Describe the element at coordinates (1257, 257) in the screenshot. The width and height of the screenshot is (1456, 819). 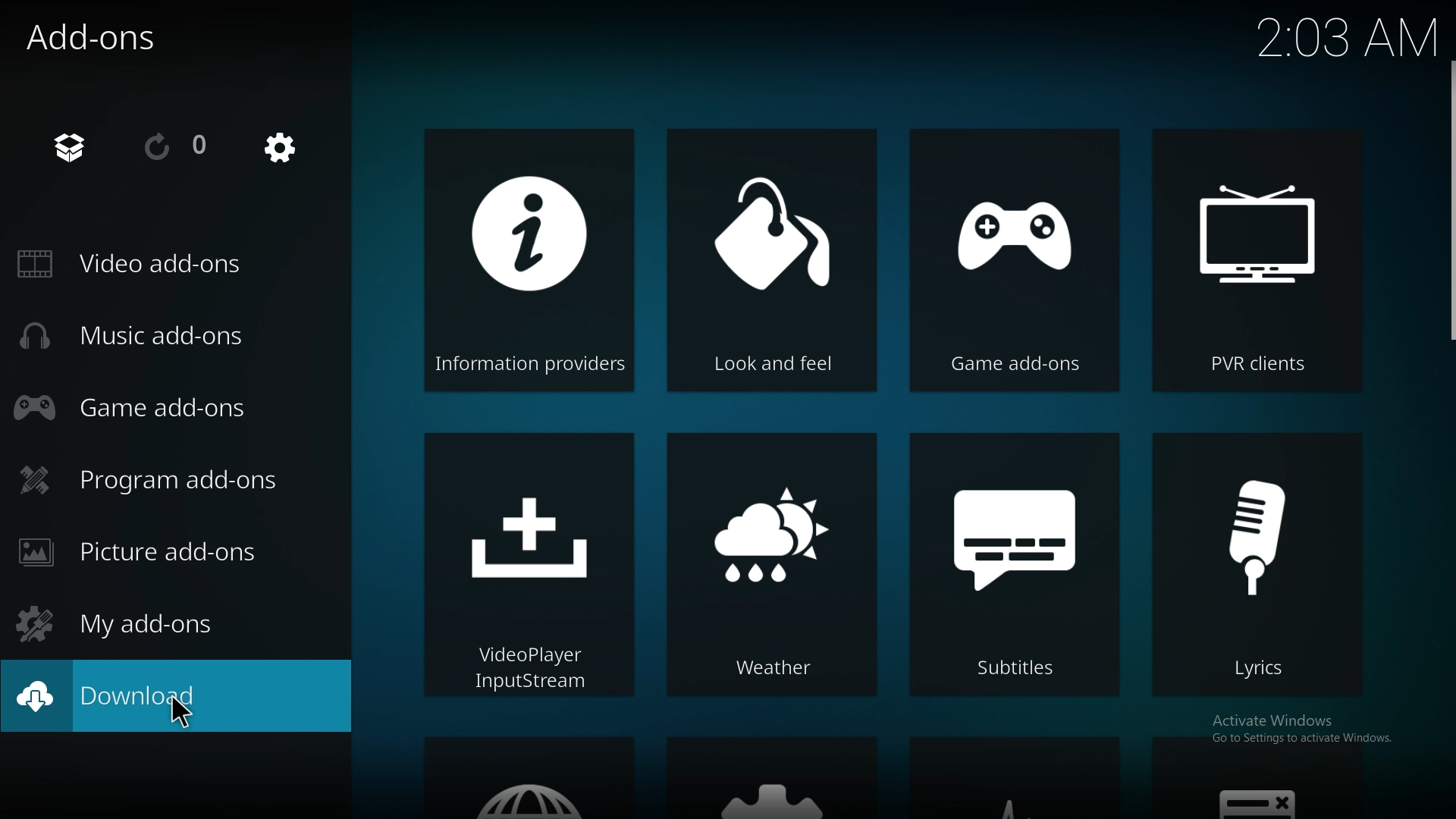
I see `pvr clients` at that location.